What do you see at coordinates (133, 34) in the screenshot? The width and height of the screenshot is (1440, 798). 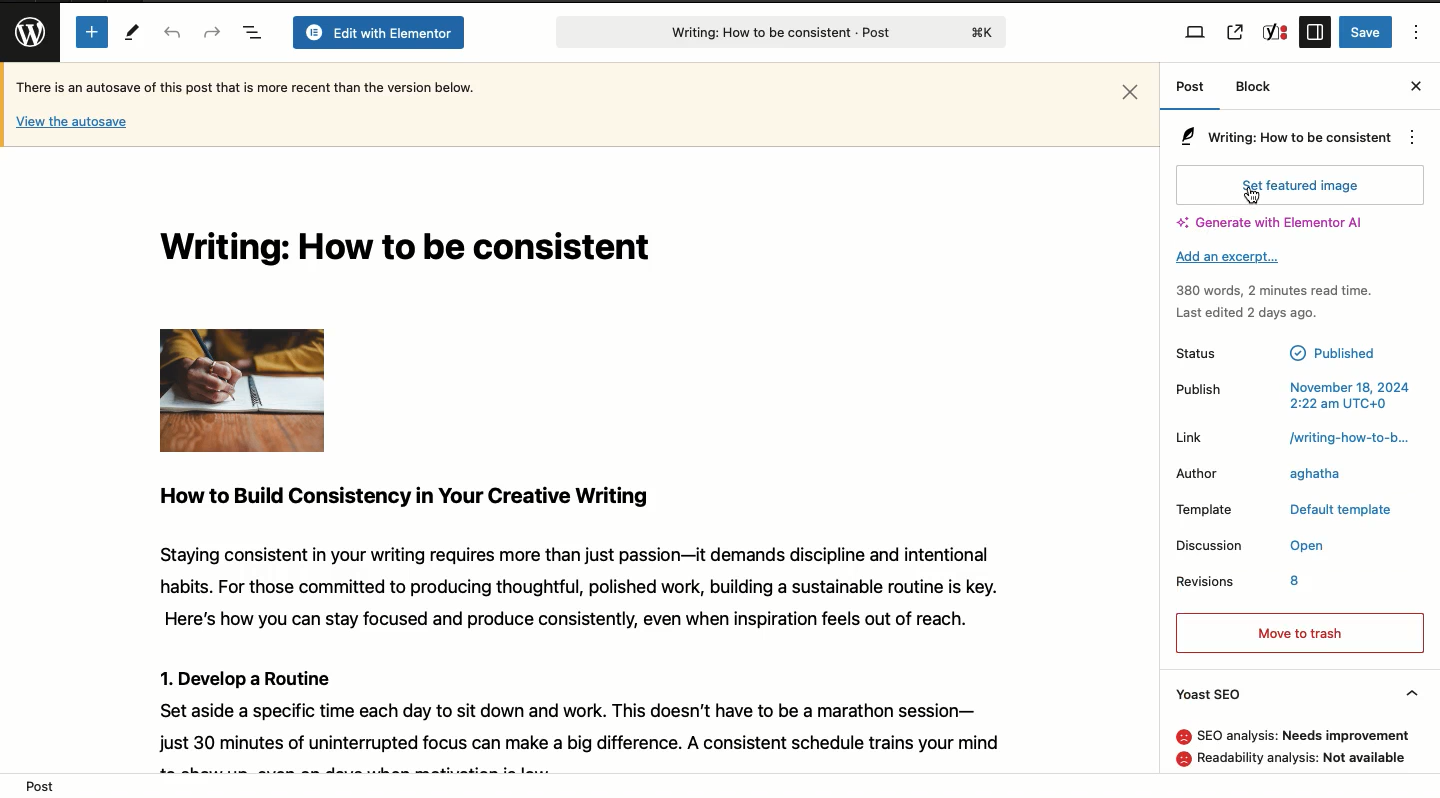 I see `Tools` at bounding box center [133, 34].